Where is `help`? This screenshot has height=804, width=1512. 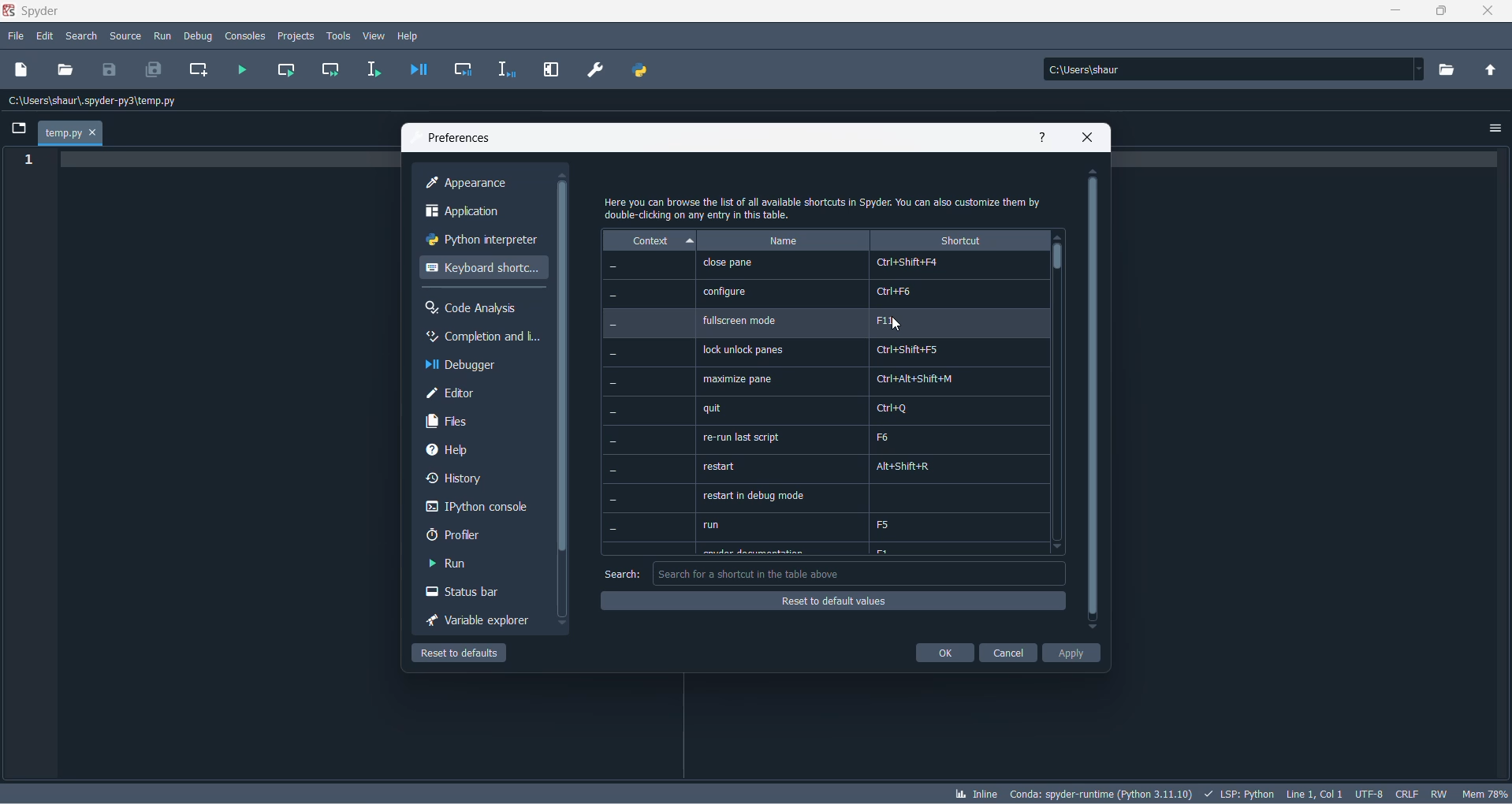 help is located at coordinates (1045, 139).